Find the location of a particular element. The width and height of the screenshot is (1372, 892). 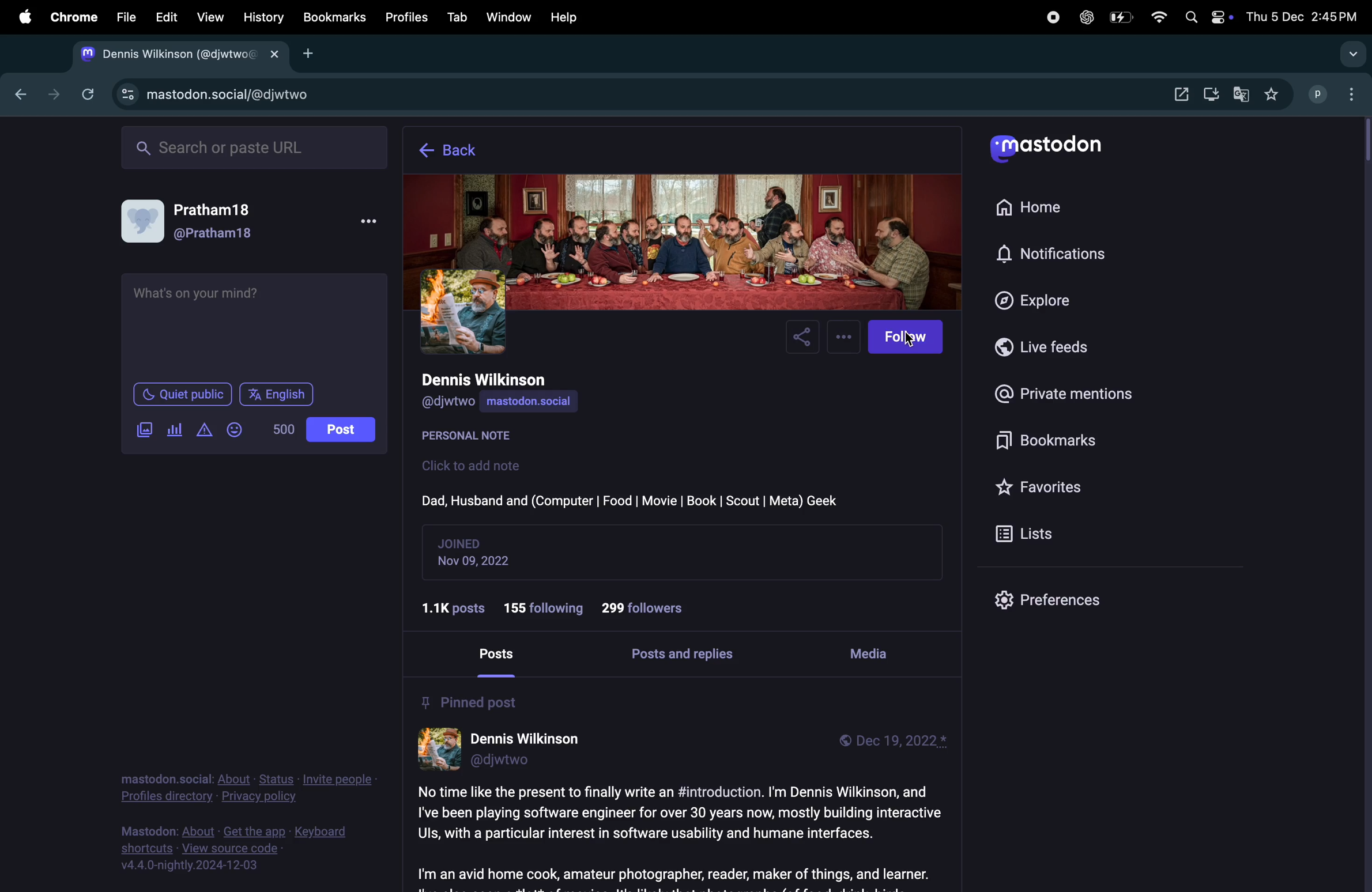

back is located at coordinates (24, 96).